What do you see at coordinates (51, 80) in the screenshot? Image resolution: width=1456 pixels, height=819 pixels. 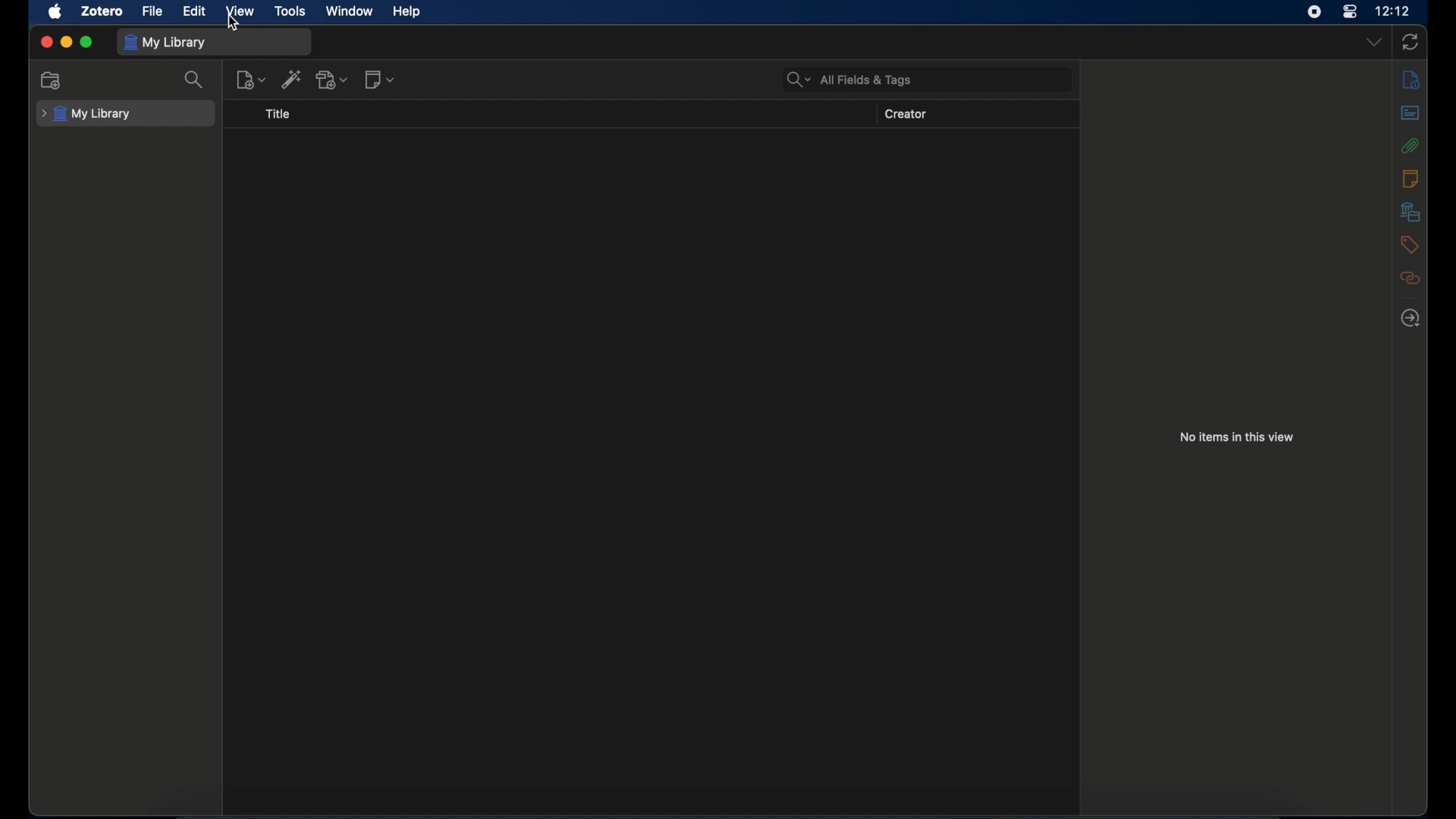 I see `new collection` at bounding box center [51, 80].